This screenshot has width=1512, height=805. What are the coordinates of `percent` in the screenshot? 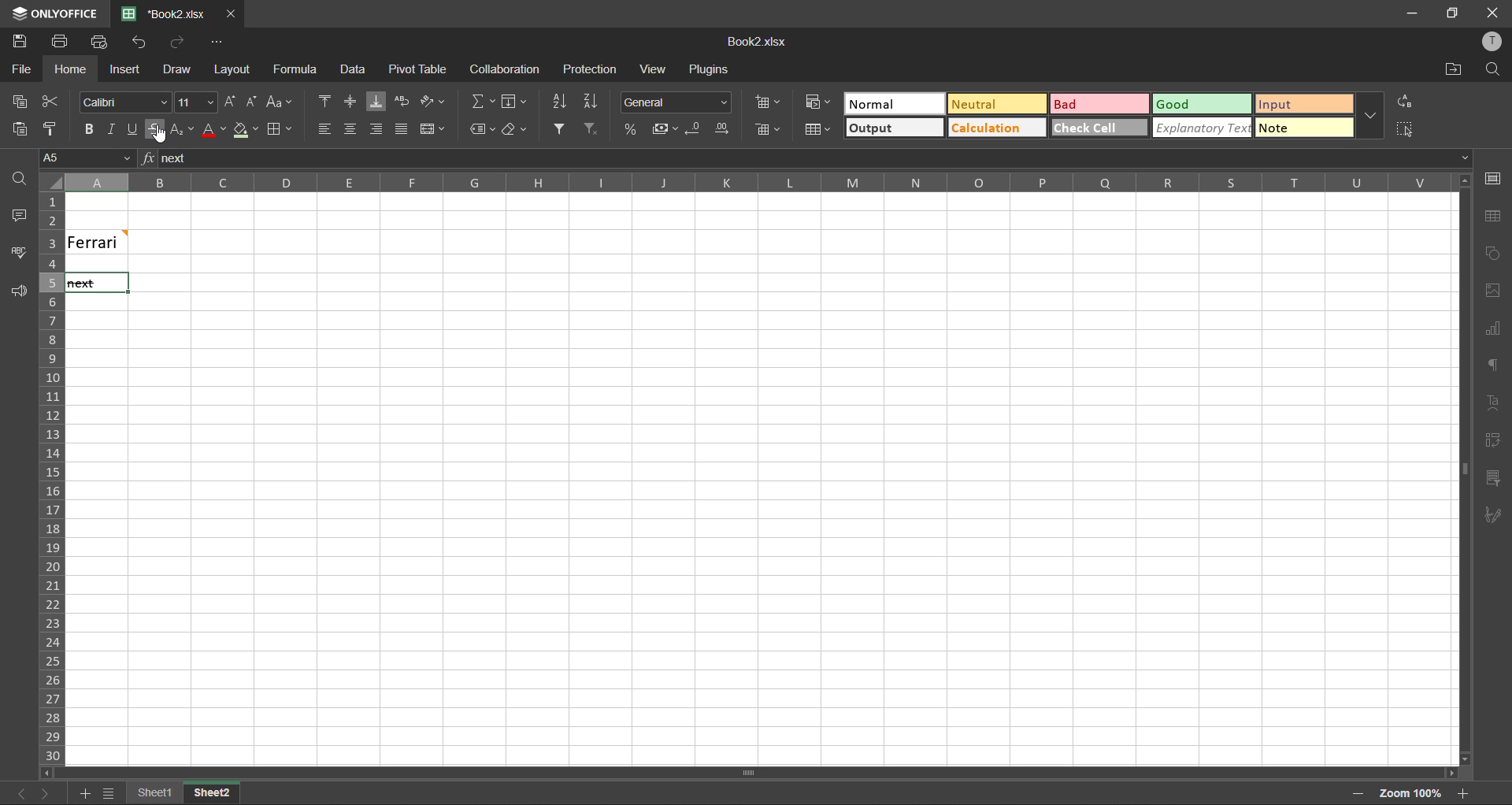 It's located at (632, 131).